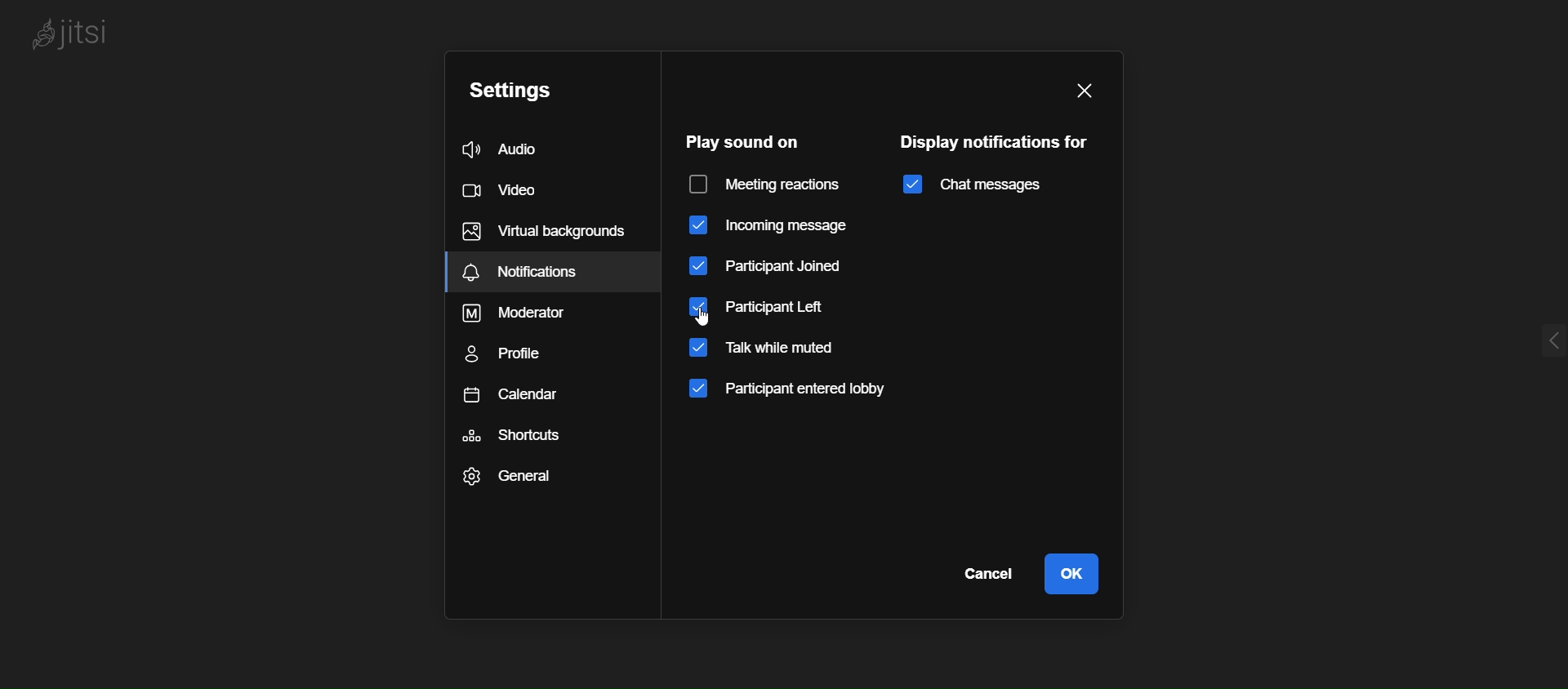  What do you see at coordinates (770, 268) in the screenshot?
I see `participant joined` at bounding box center [770, 268].